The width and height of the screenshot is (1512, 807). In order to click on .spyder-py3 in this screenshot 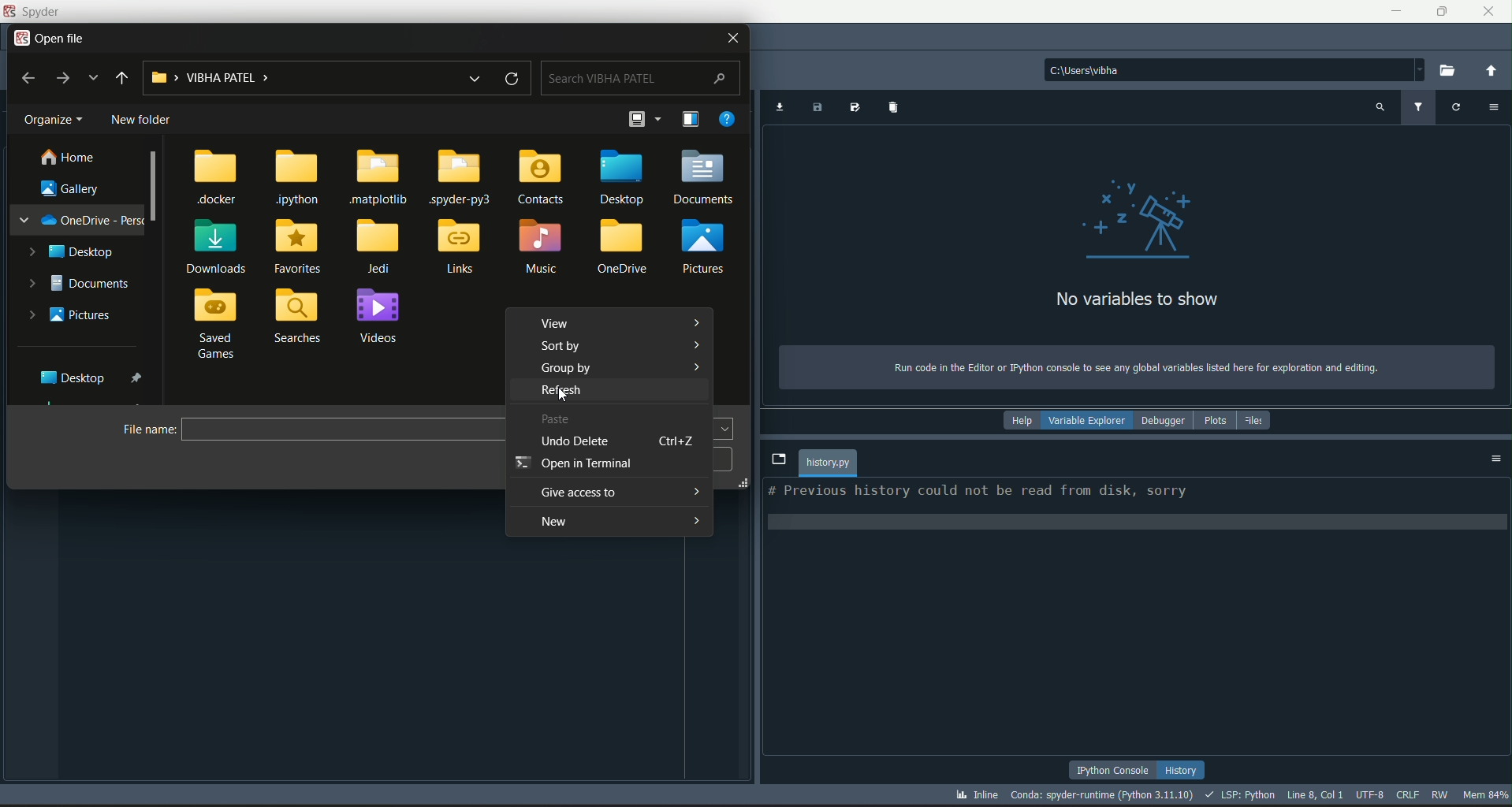, I will do `click(463, 177)`.